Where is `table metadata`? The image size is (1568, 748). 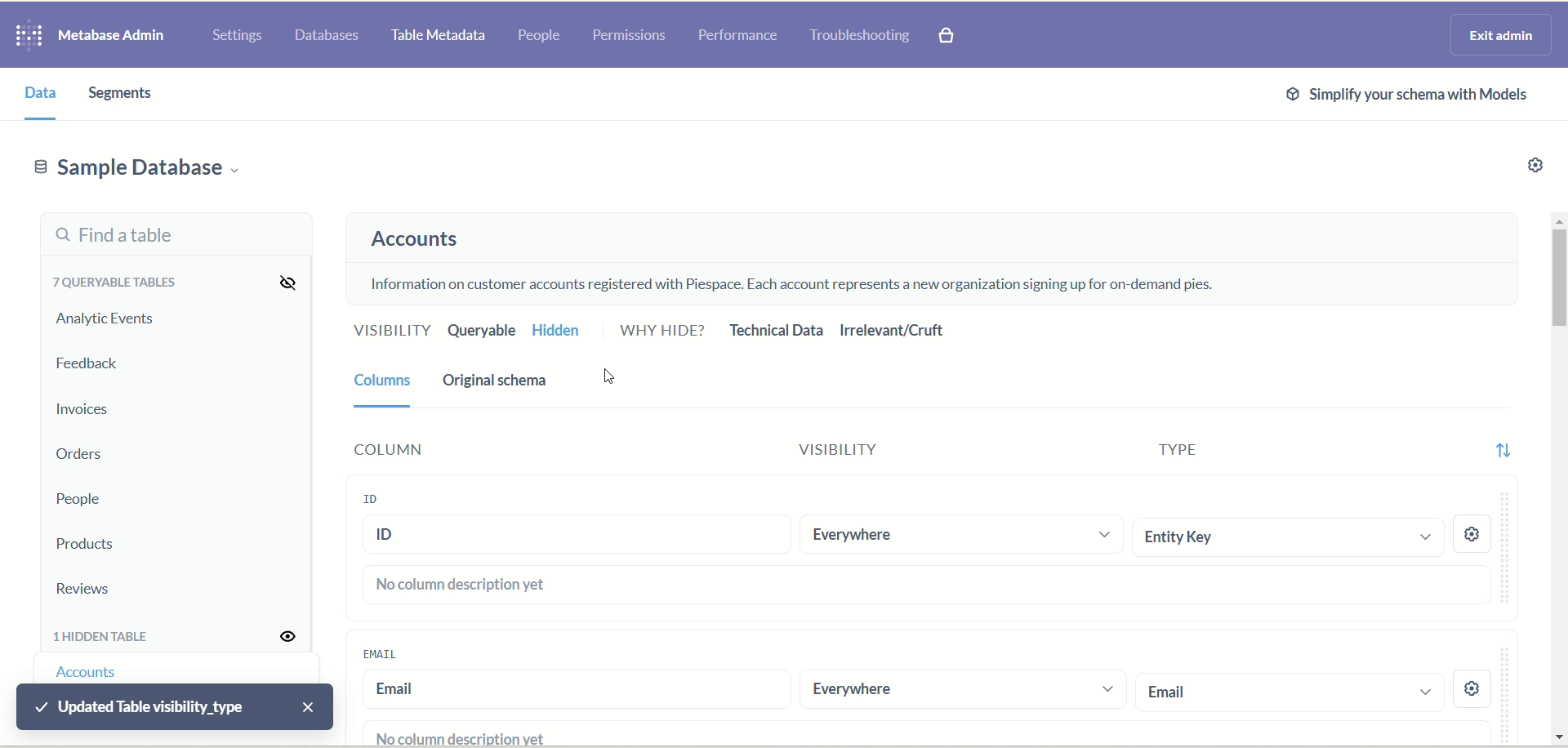
table metadata is located at coordinates (439, 36).